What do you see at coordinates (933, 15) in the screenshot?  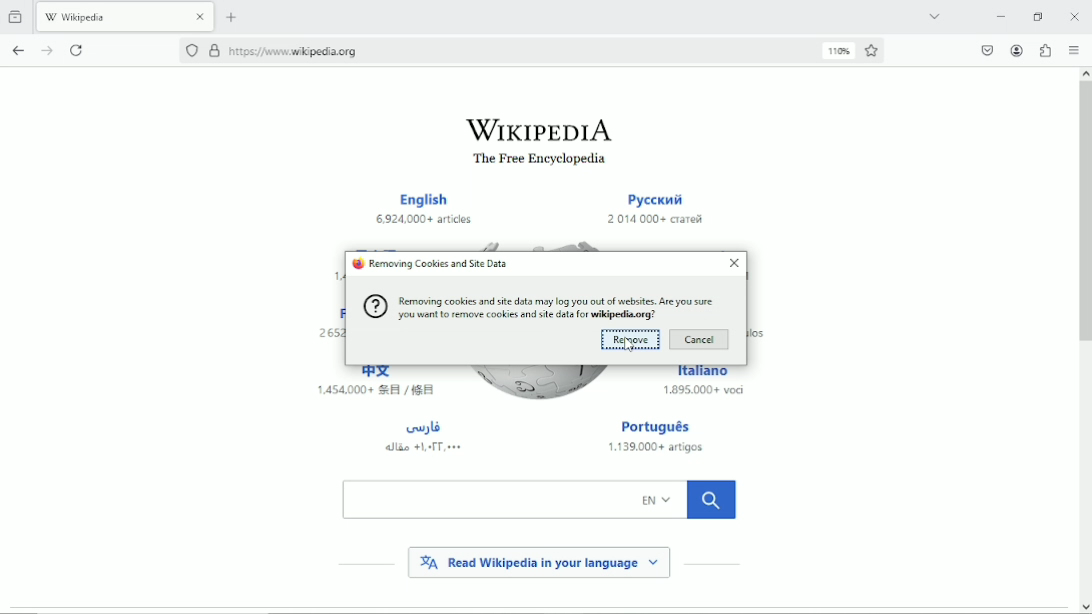 I see `list all tabs` at bounding box center [933, 15].